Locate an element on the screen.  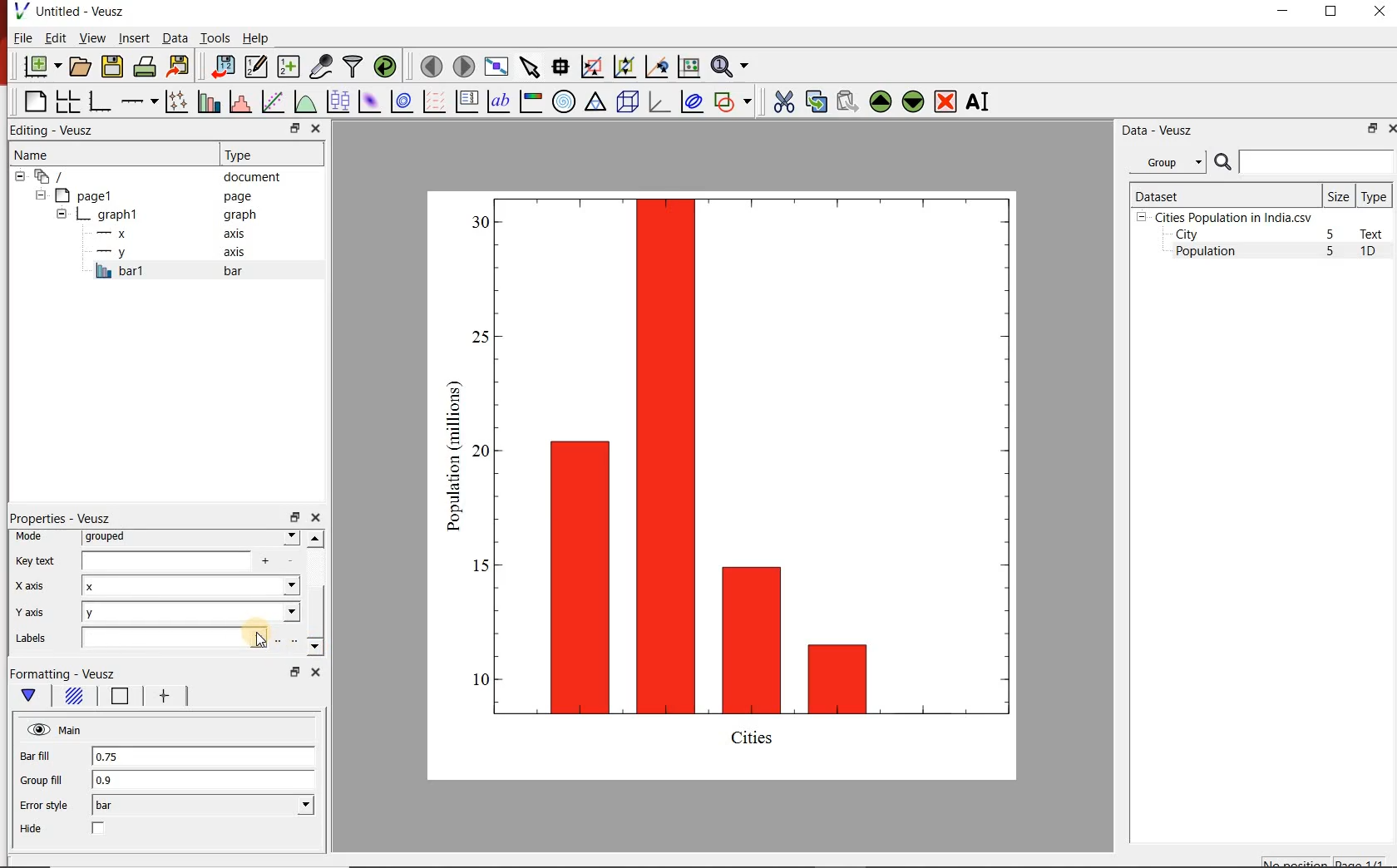
Fill is located at coordinates (73, 698).